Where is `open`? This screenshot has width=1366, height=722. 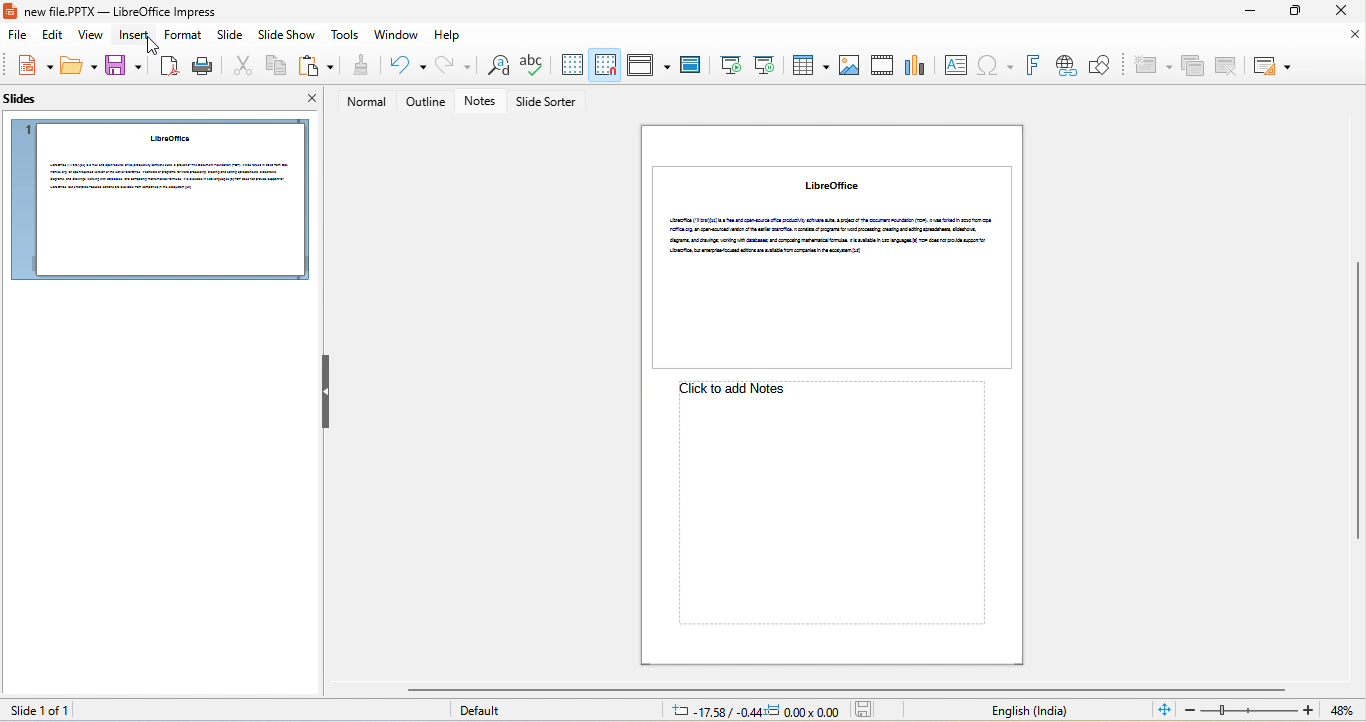 open is located at coordinates (80, 67).